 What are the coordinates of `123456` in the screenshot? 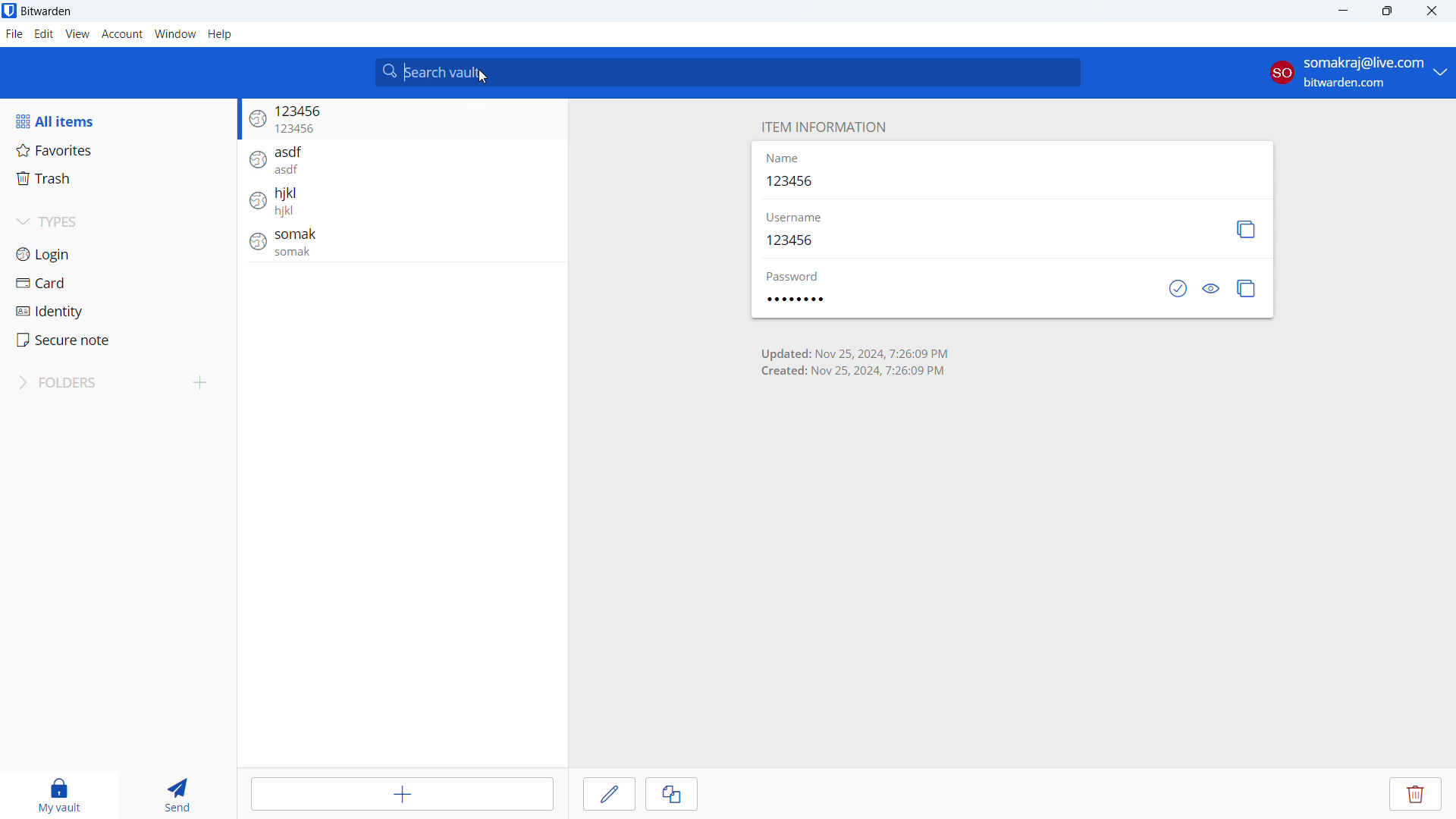 It's located at (797, 240).